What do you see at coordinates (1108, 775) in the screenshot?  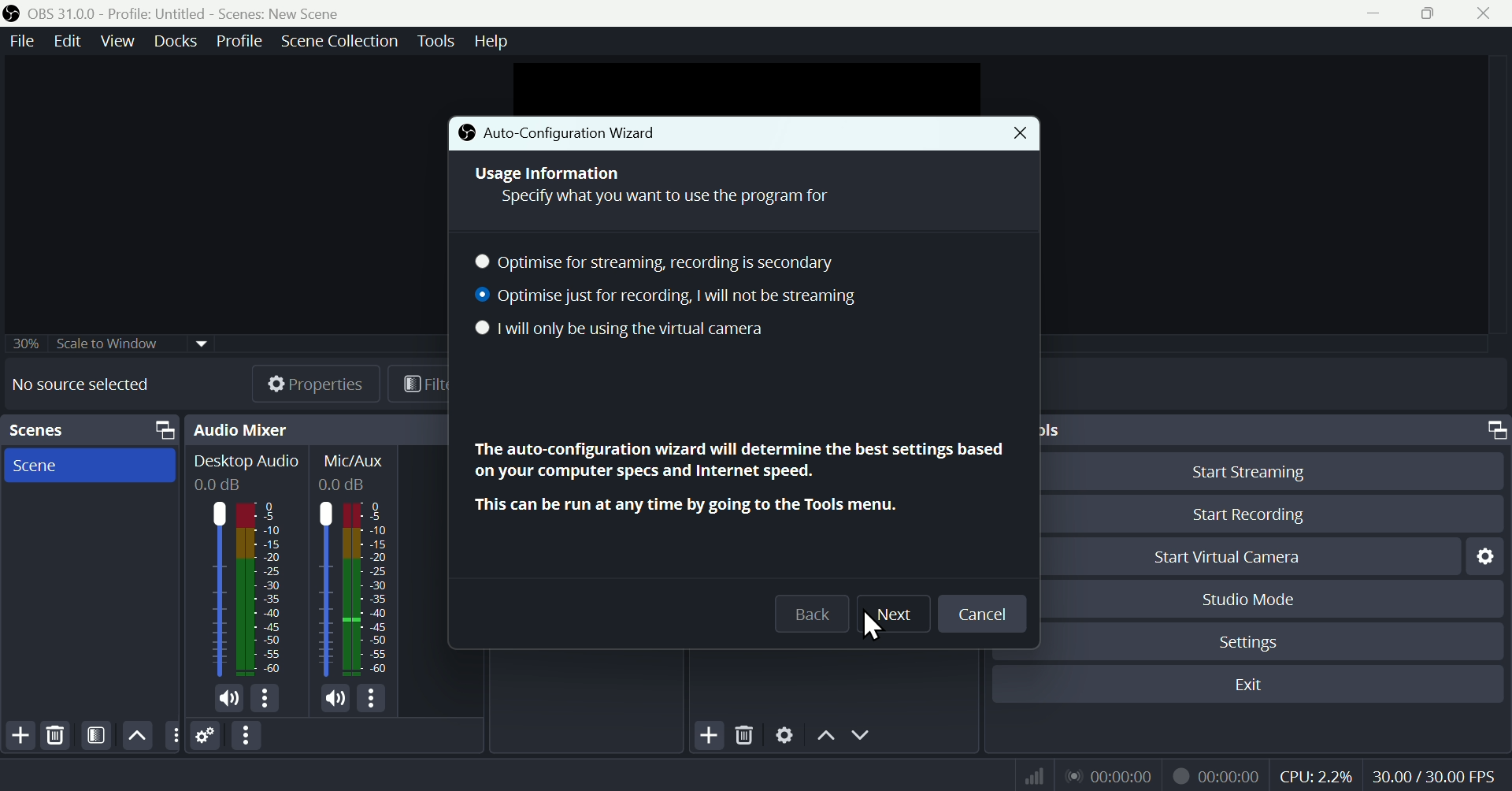 I see `Audio recorder` at bounding box center [1108, 775].